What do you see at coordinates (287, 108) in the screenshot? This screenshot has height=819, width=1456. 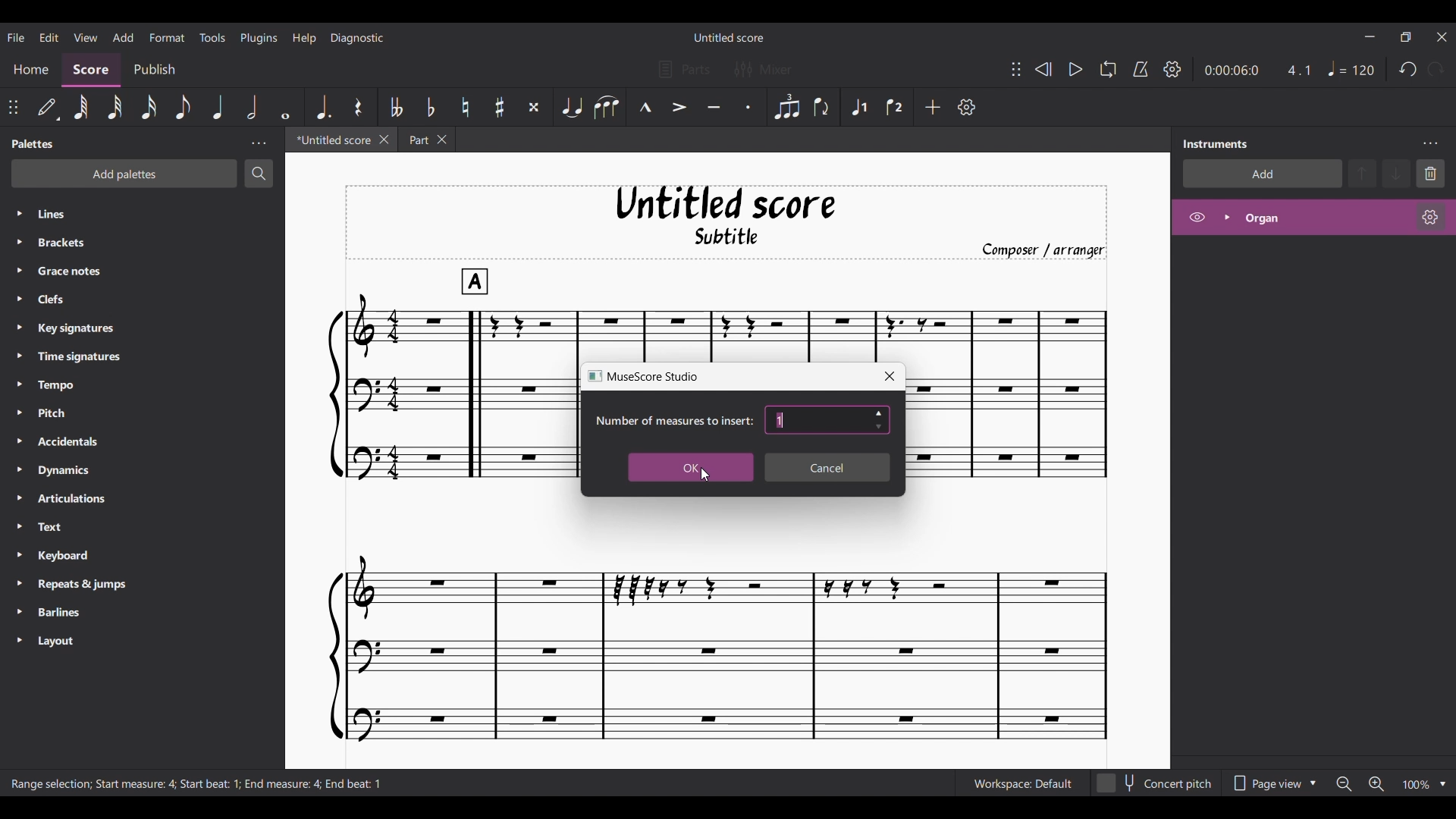 I see `Whole note` at bounding box center [287, 108].